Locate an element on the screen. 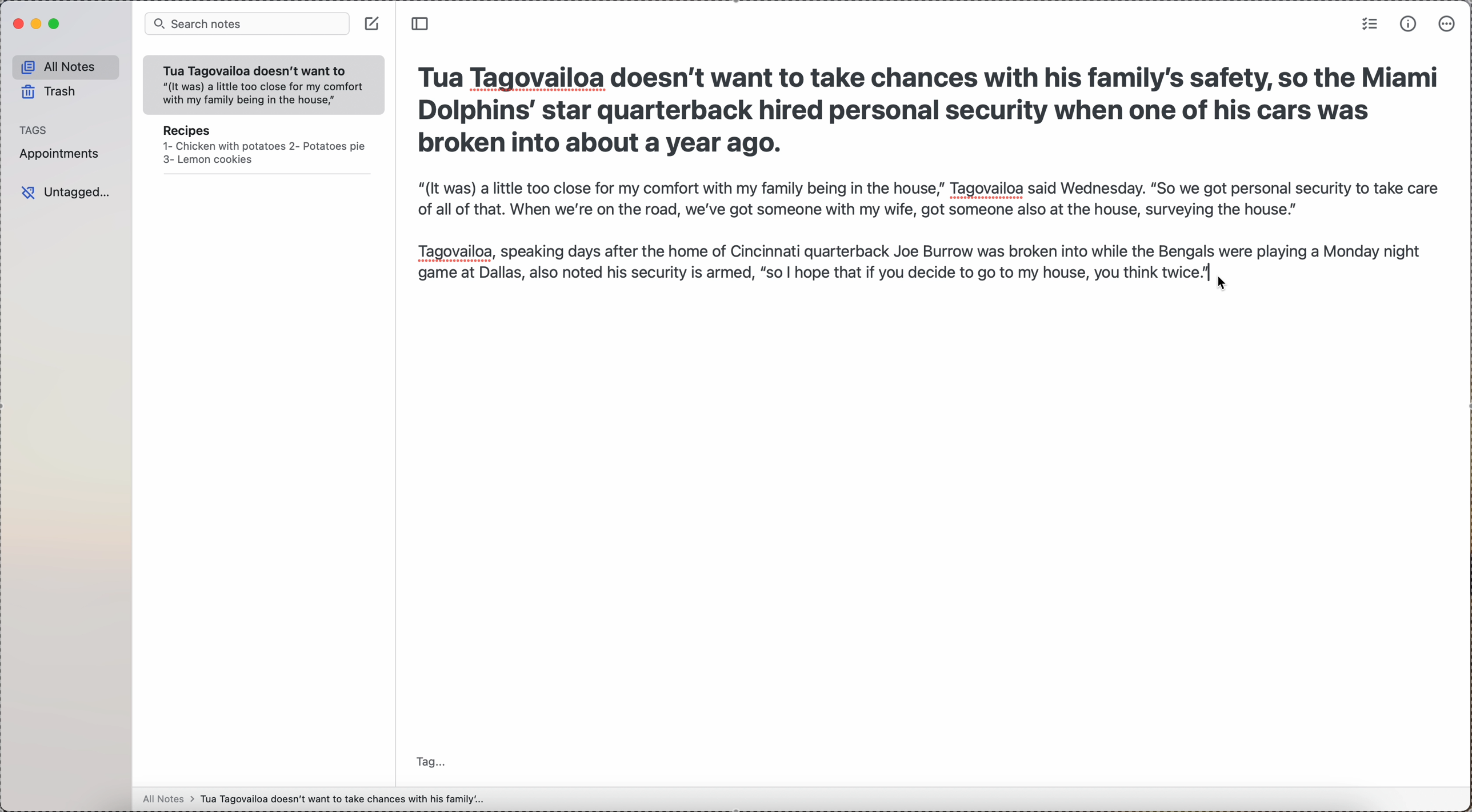 This screenshot has width=1472, height=812. create note is located at coordinates (371, 26).